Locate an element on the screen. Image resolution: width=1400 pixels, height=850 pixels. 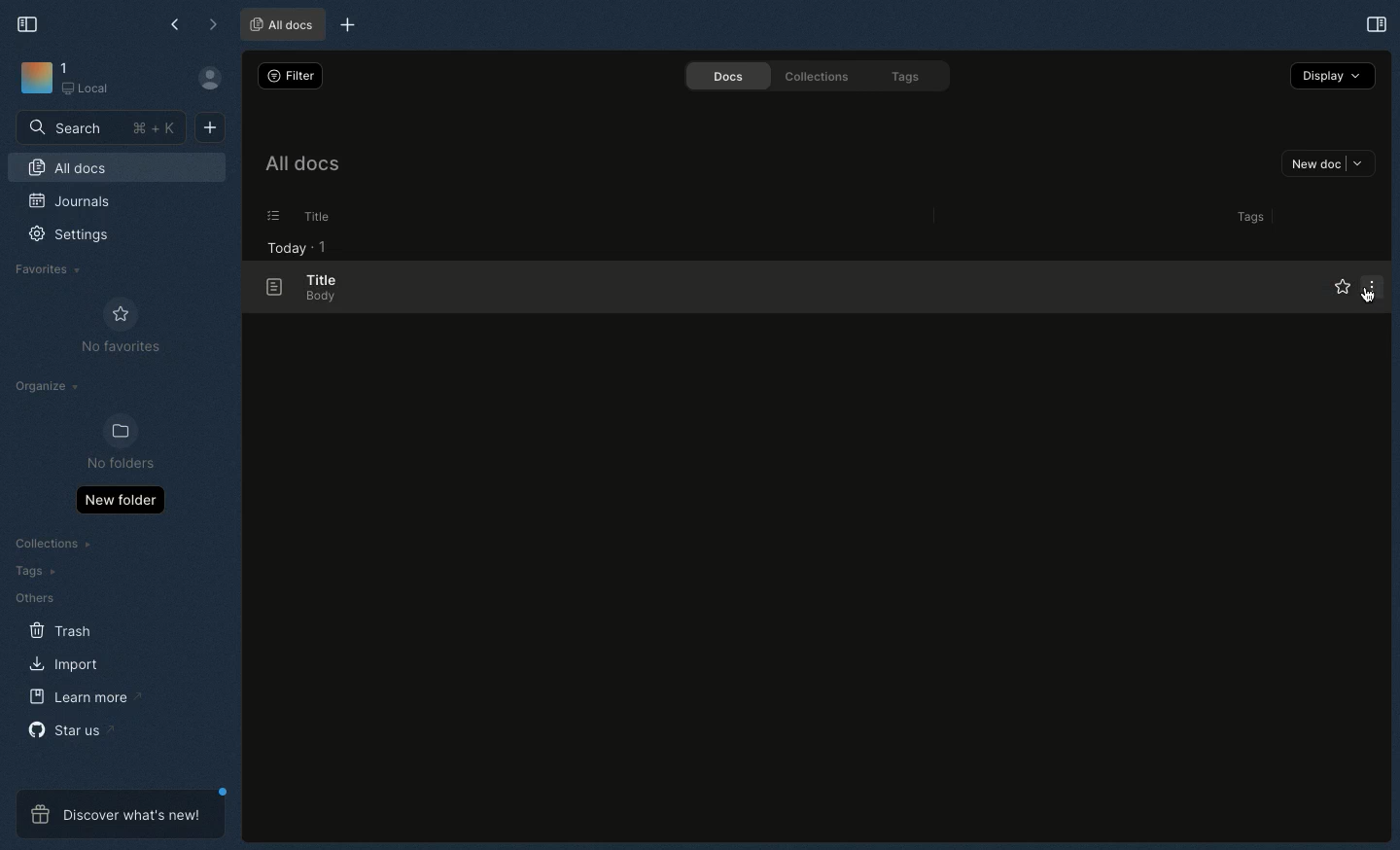
No folders is located at coordinates (113, 443).